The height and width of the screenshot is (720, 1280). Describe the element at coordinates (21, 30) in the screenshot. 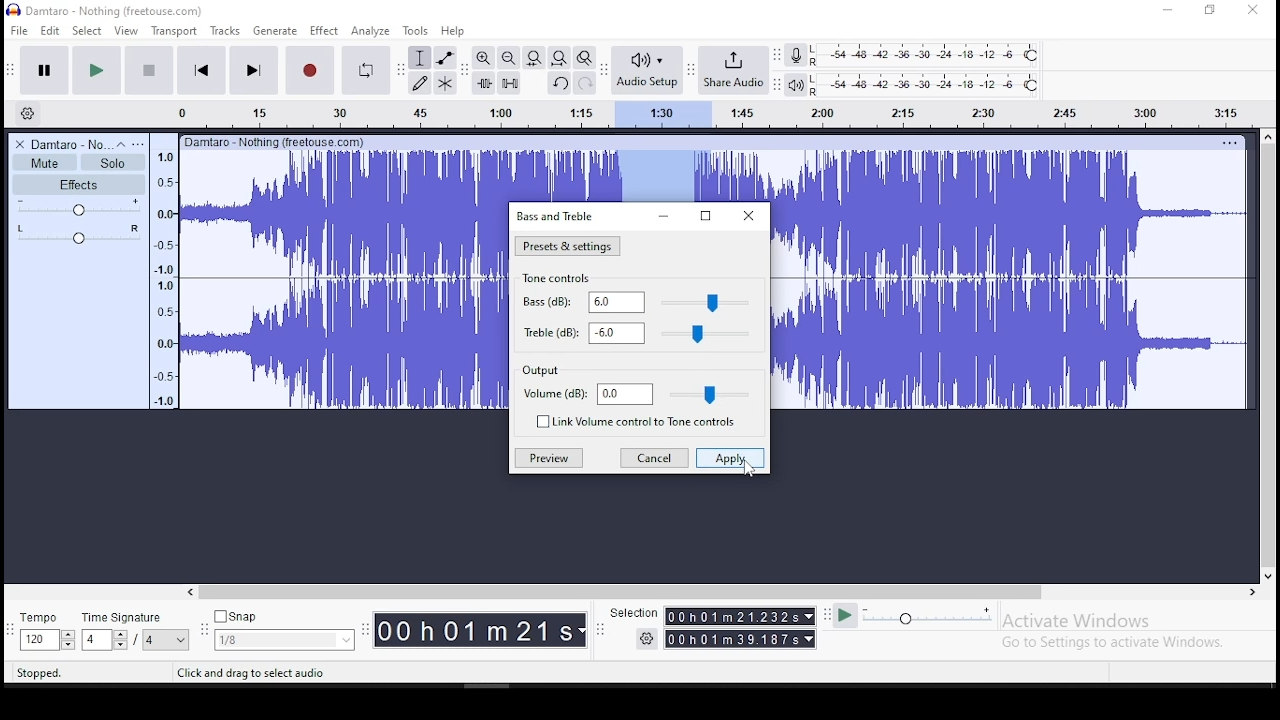

I see `file` at that location.